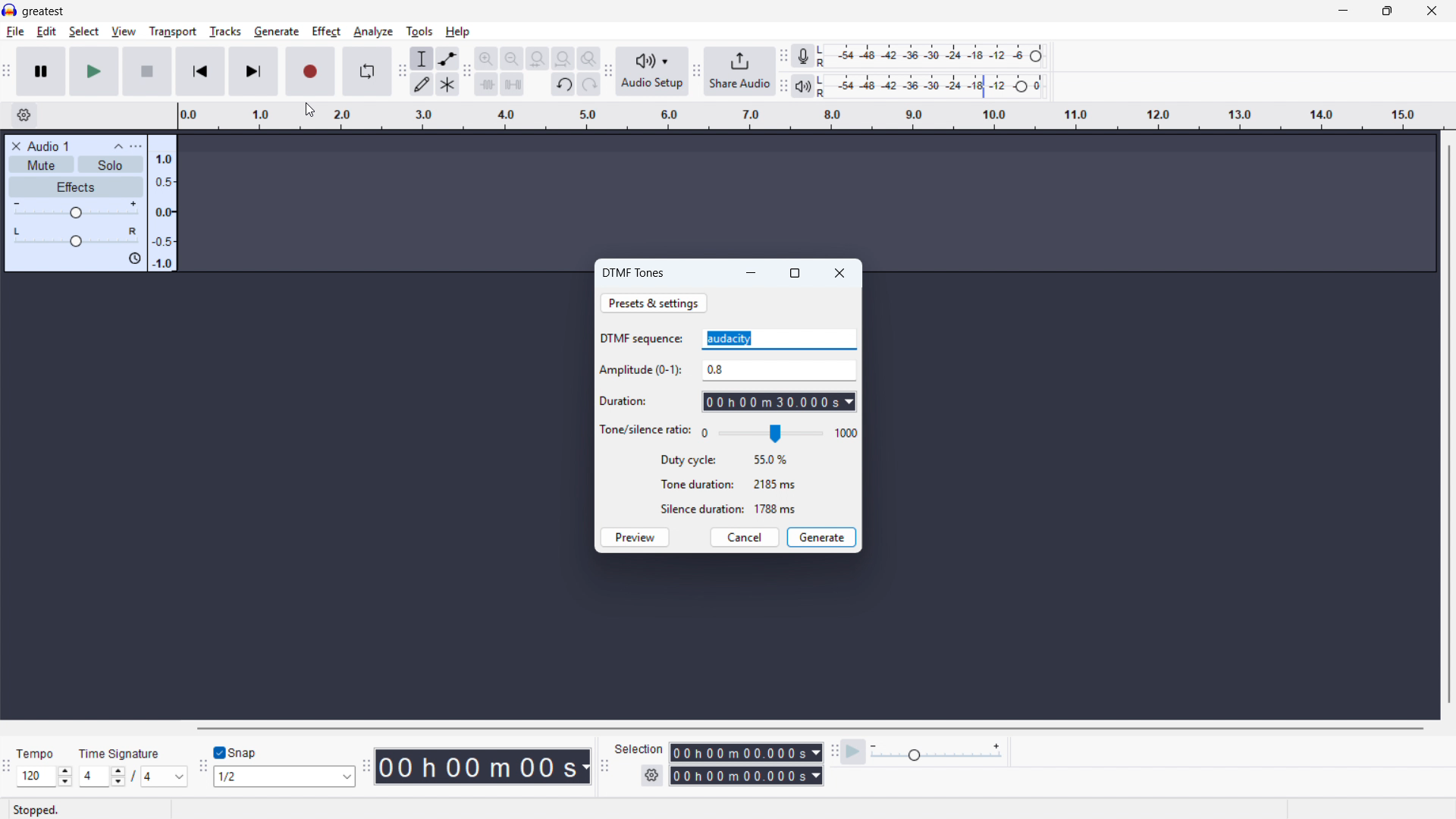  What do you see at coordinates (486, 58) in the screenshot?
I see `zoom in` at bounding box center [486, 58].